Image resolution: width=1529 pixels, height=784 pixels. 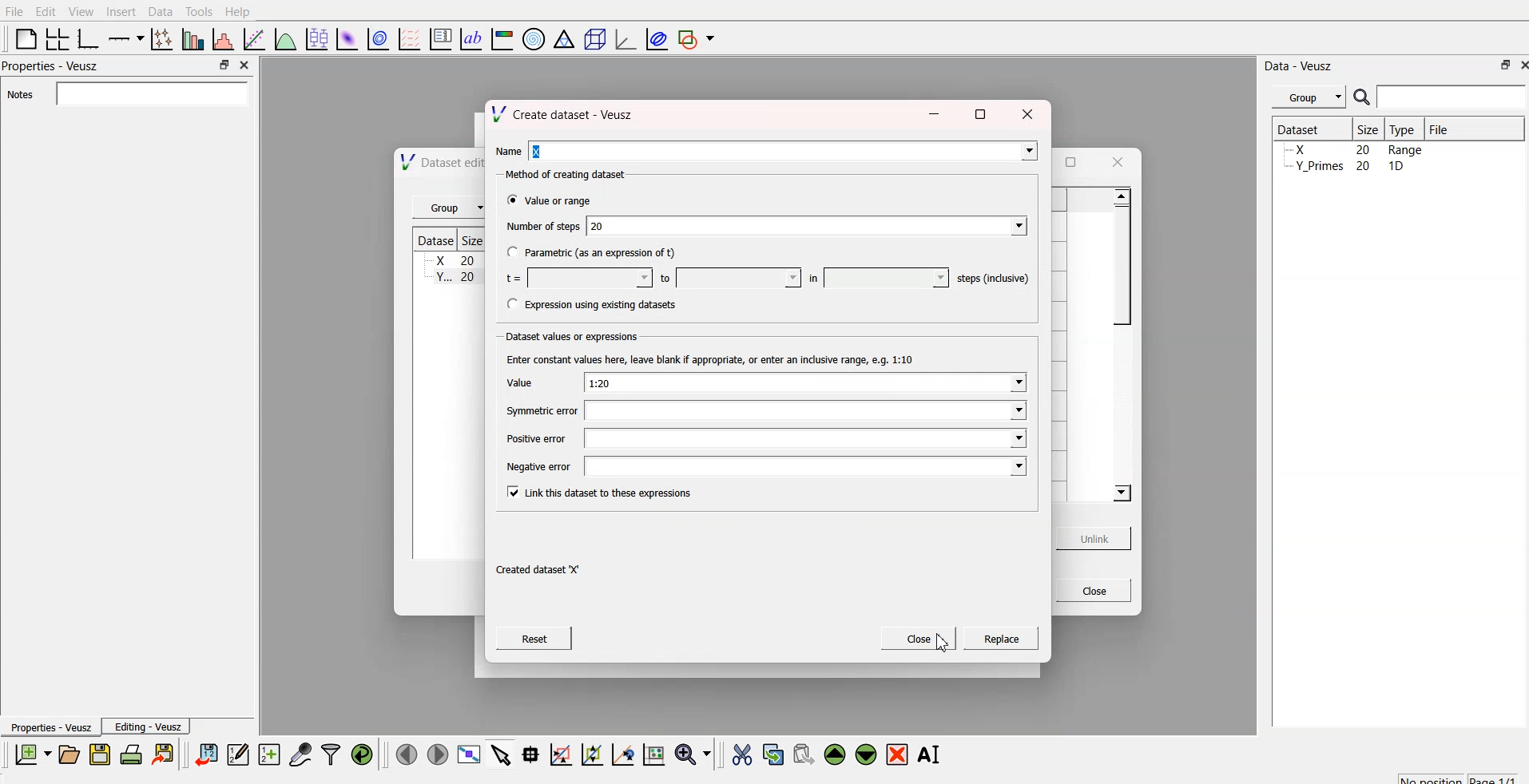 What do you see at coordinates (124, 37) in the screenshot?
I see `plot on axis` at bounding box center [124, 37].